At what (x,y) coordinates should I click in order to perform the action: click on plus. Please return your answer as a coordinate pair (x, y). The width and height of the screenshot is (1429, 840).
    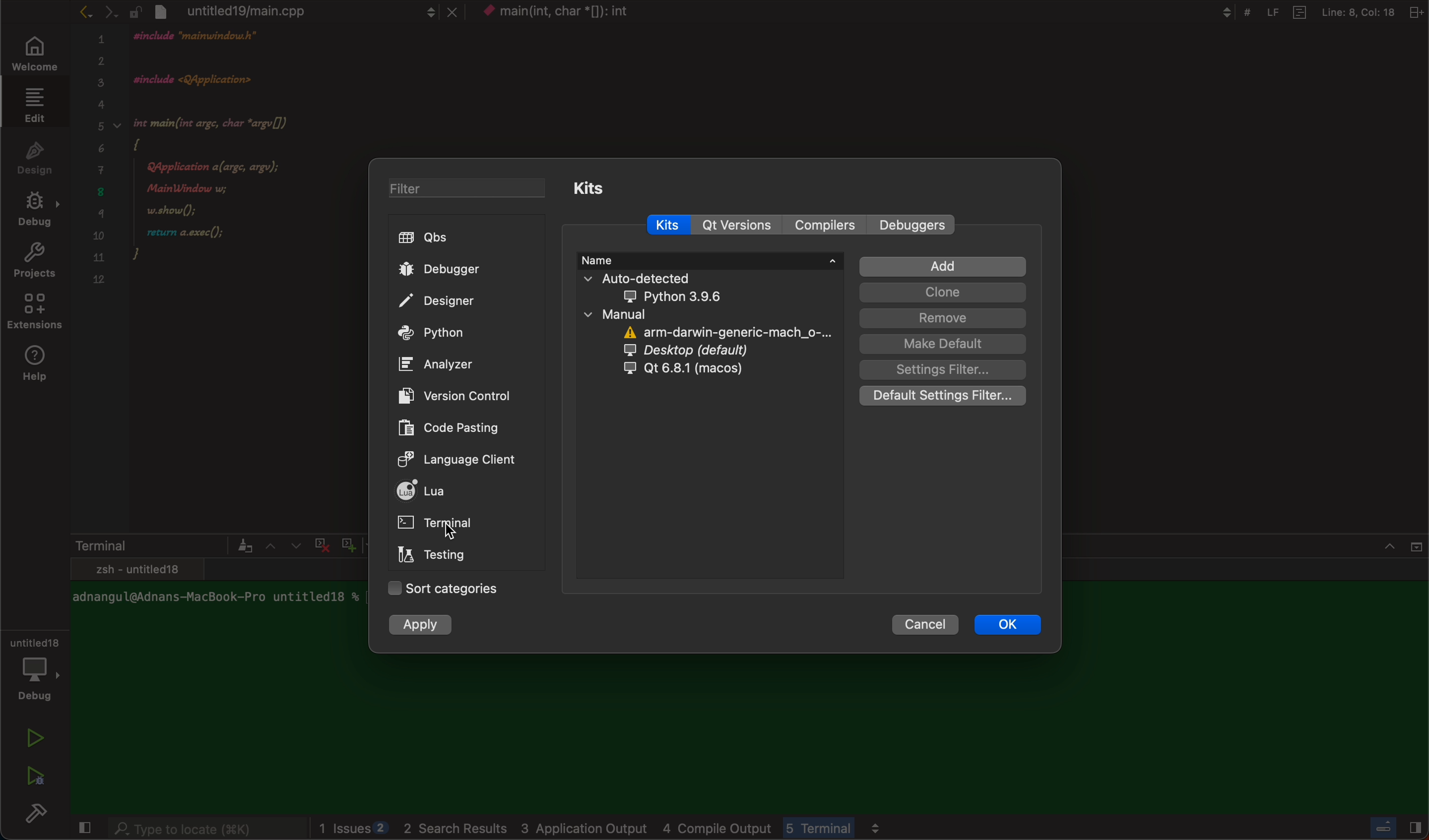
    Looking at the image, I should click on (346, 543).